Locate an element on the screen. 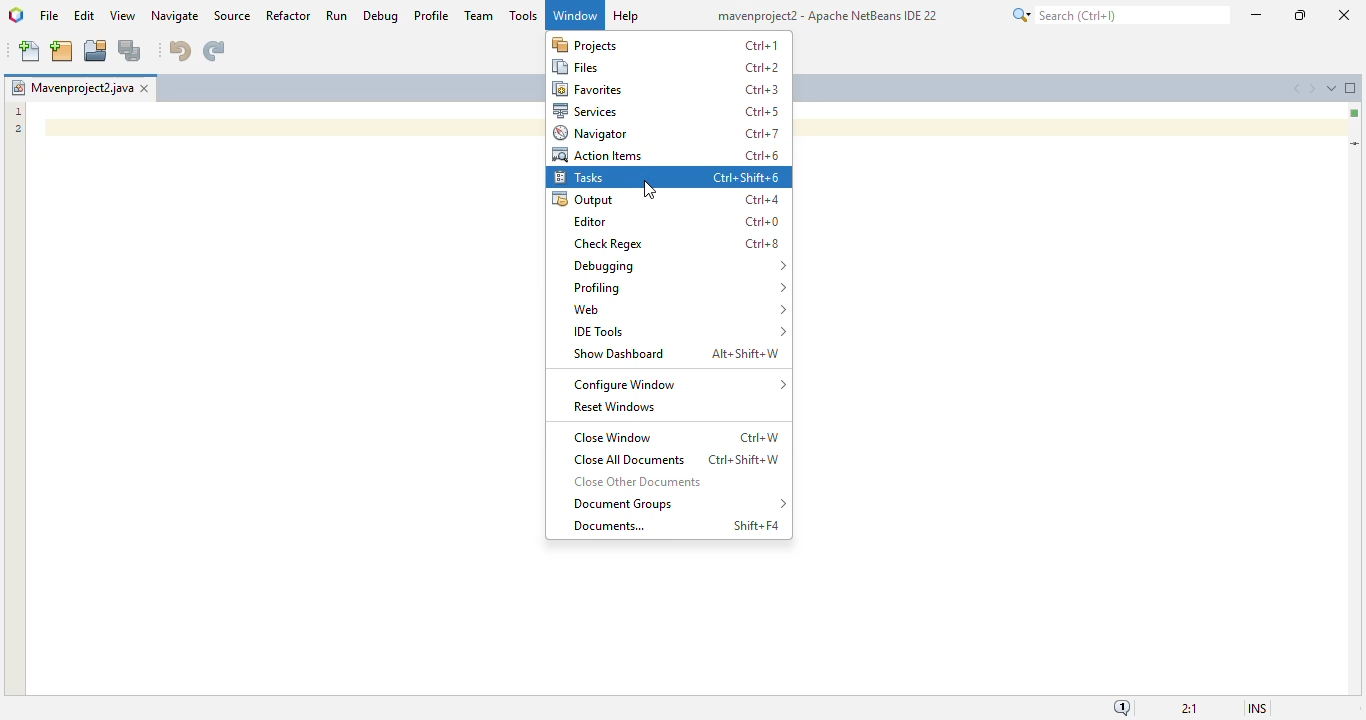 The height and width of the screenshot is (720, 1366). view is located at coordinates (123, 15).